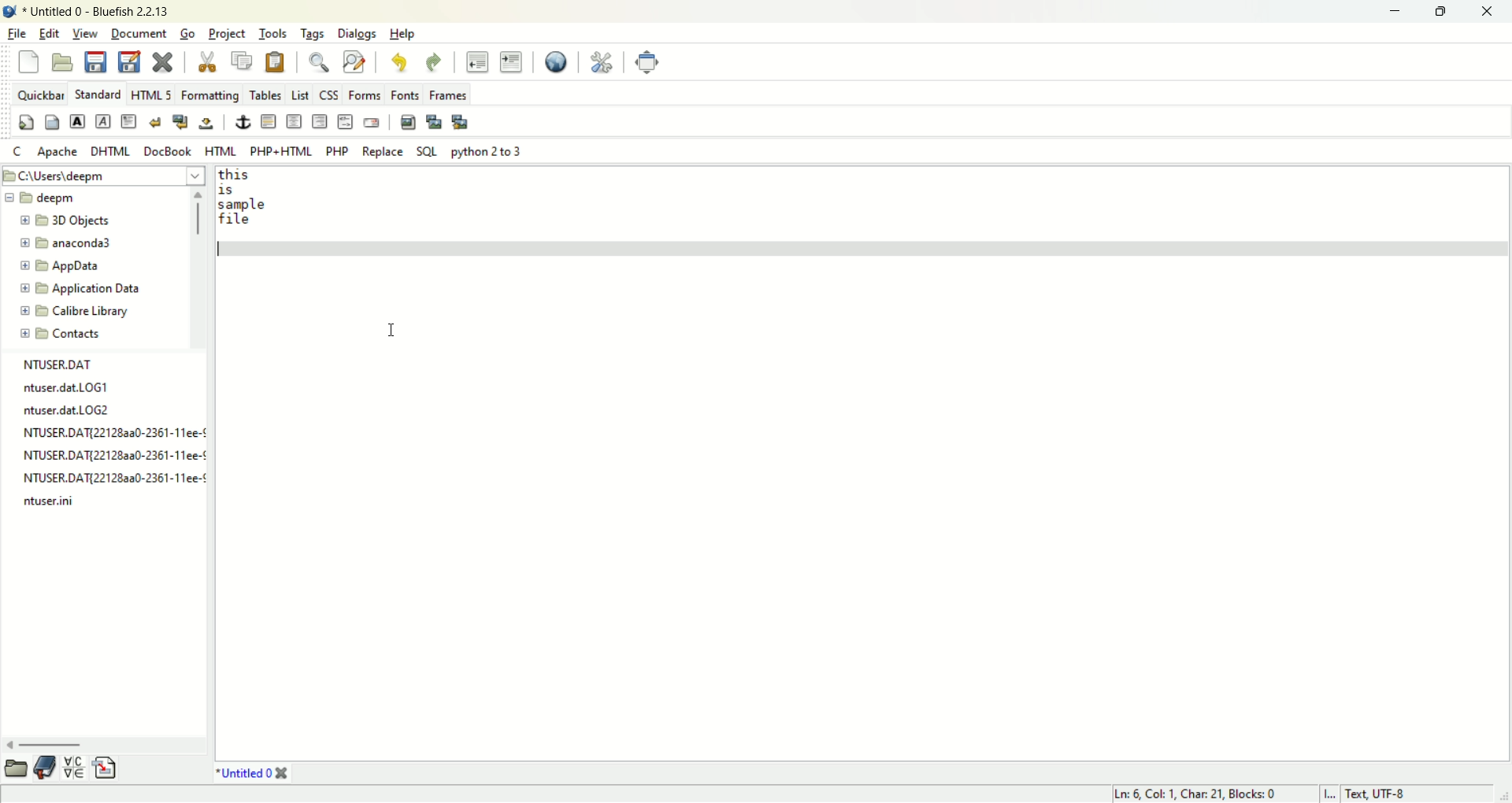 The height and width of the screenshot is (803, 1512). What do you see at coordinates (86, 33) in the screenshot?
I see `view` at bounding box center [86, 33].